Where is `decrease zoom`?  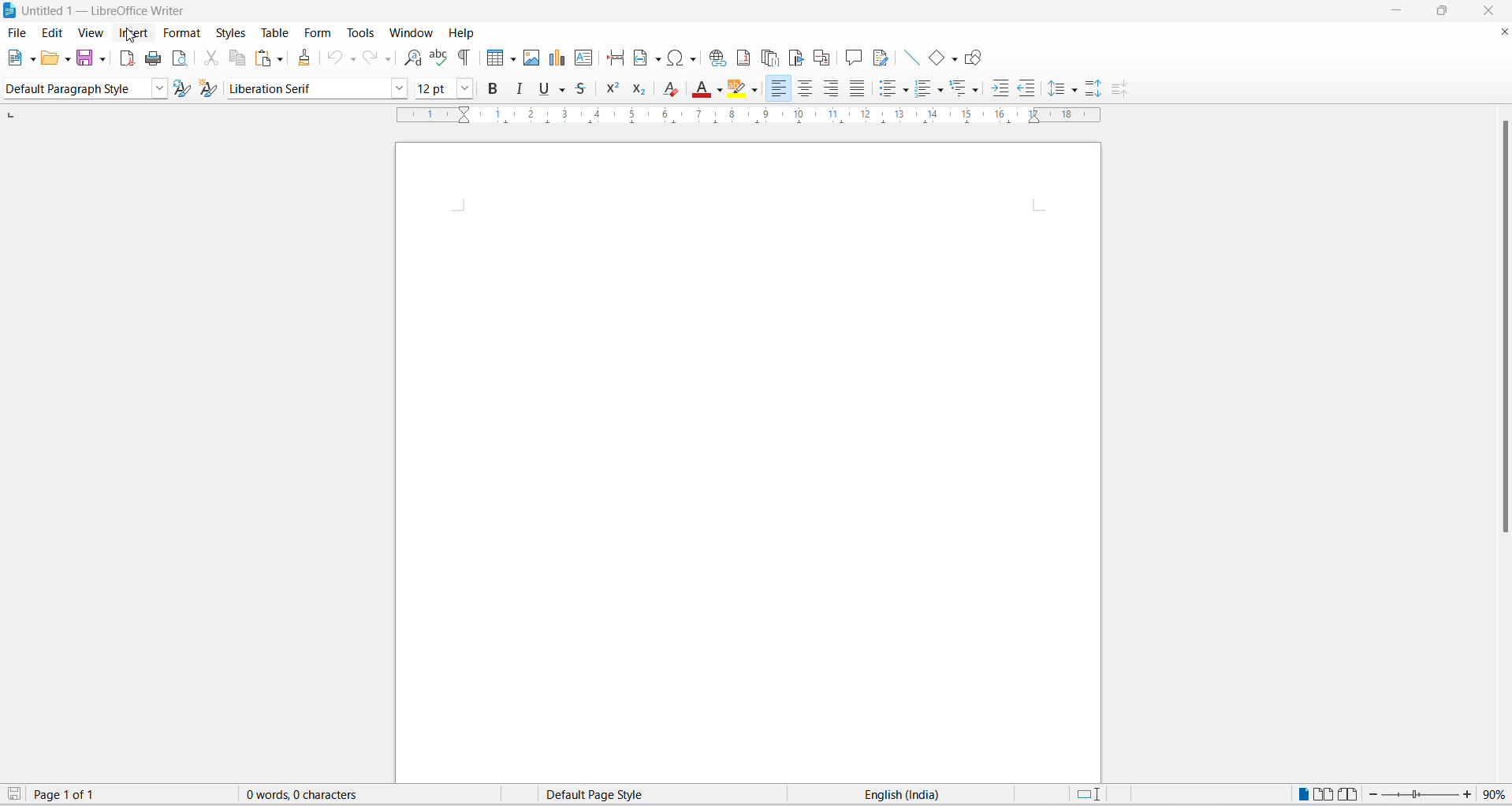 decrease zoom is located at coordinates (1371, 795).